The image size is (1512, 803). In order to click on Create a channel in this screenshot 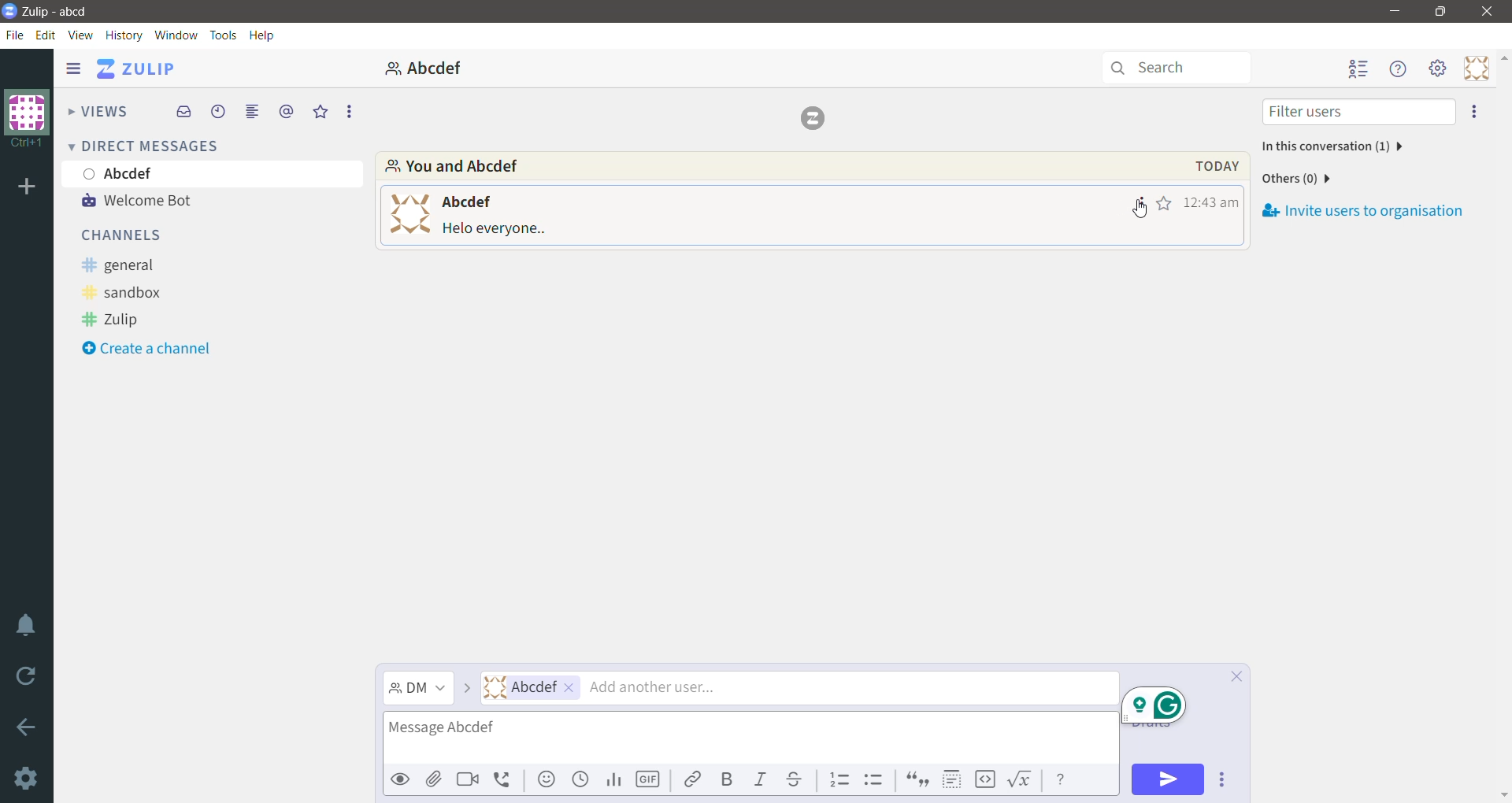, I will do `click(159, 349)`.